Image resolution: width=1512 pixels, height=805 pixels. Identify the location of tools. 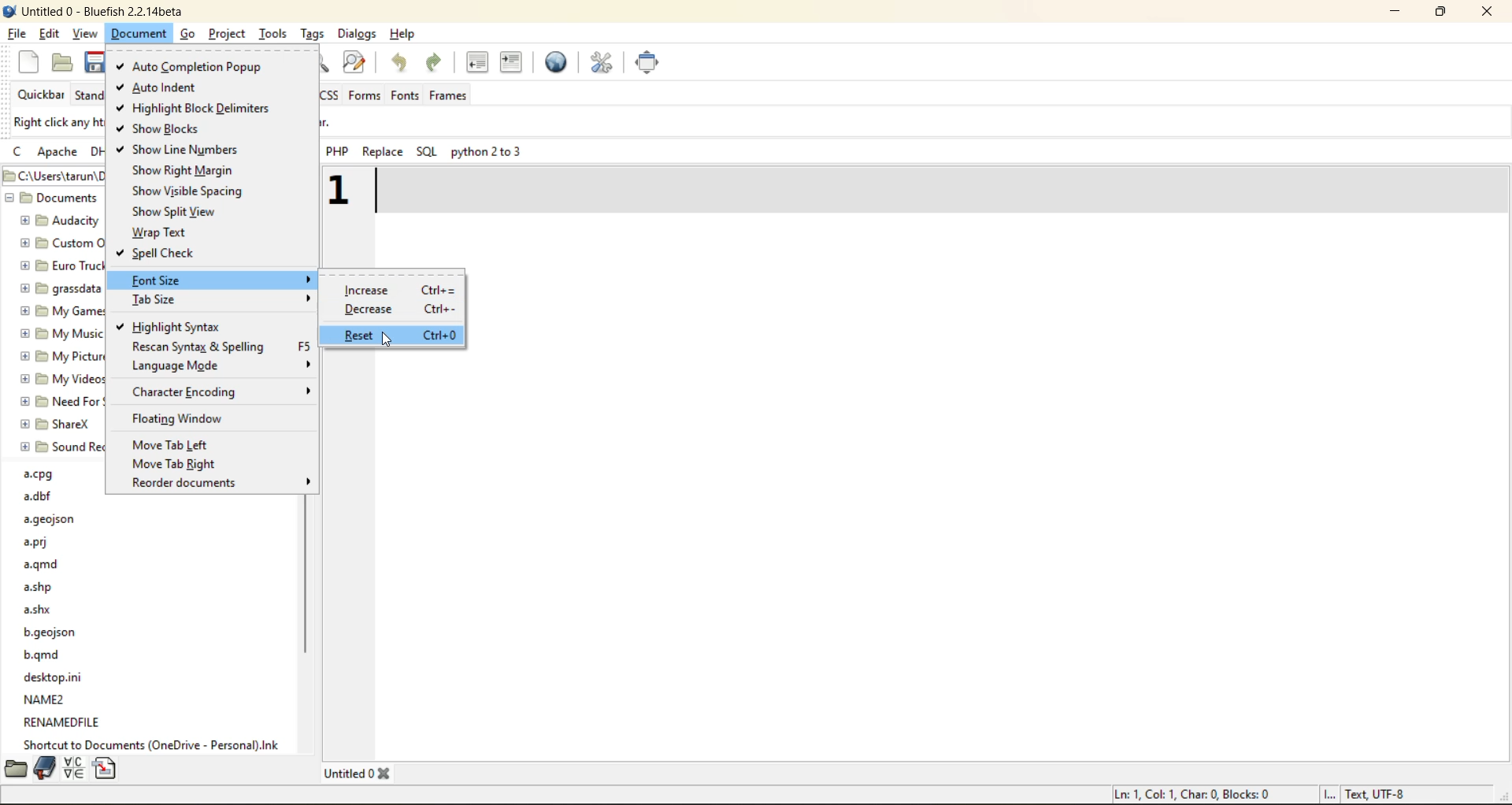
(274, 33).